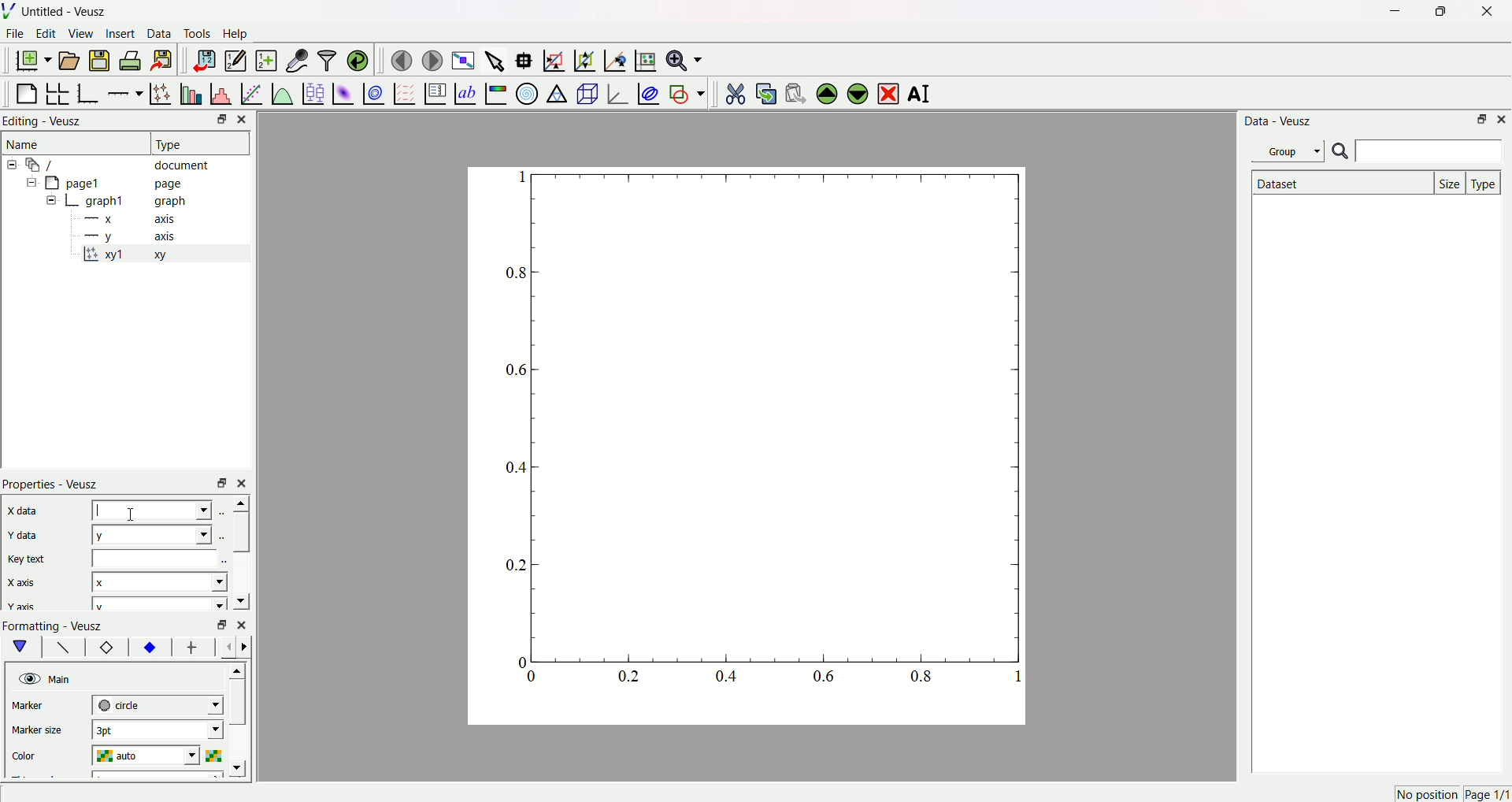 The height and width of the screenshot is (802, 1512). I want to click on minimise, so click(218, 625).